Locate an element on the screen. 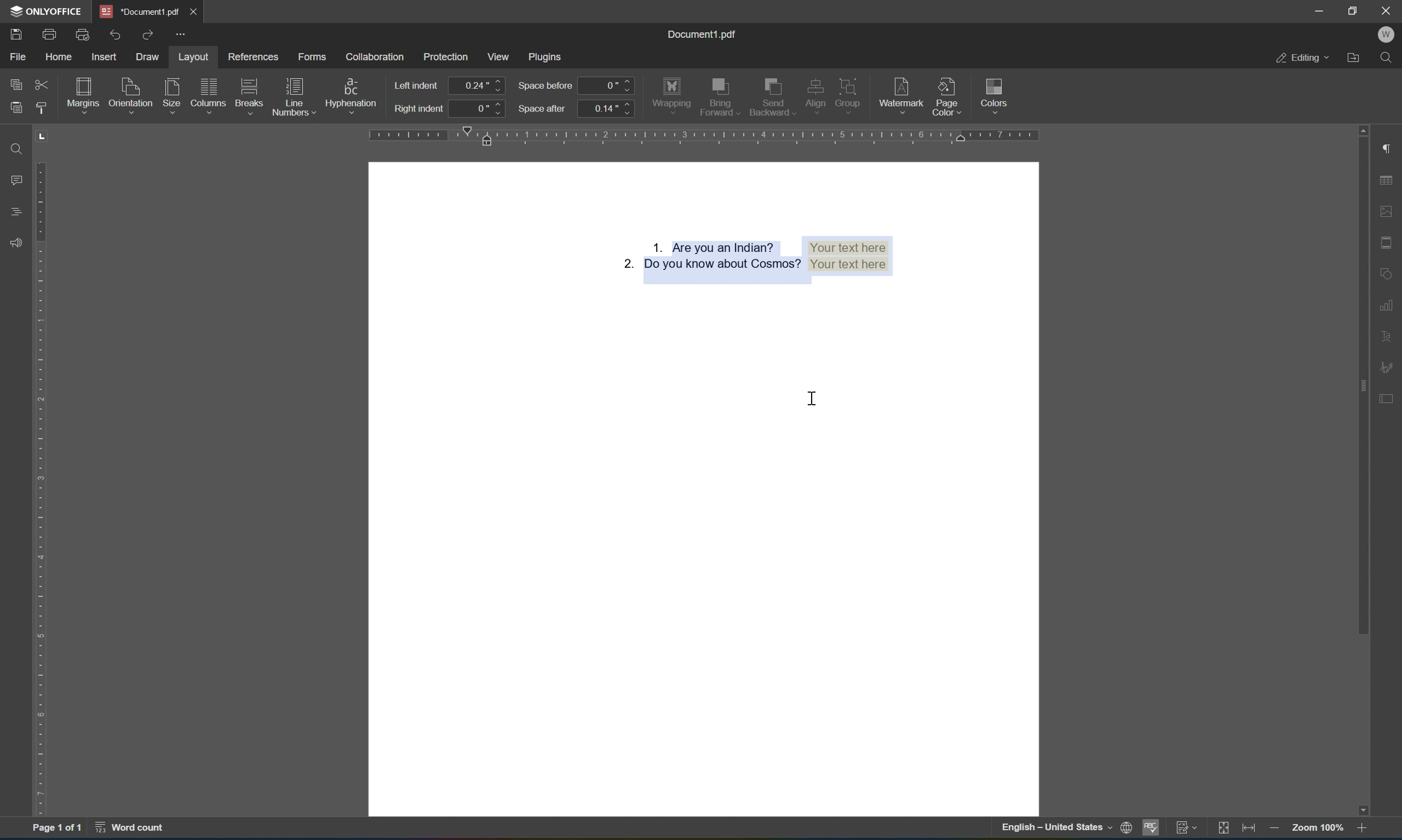 The image size is (1402, 840). copy is located at coordinates (18, 84).